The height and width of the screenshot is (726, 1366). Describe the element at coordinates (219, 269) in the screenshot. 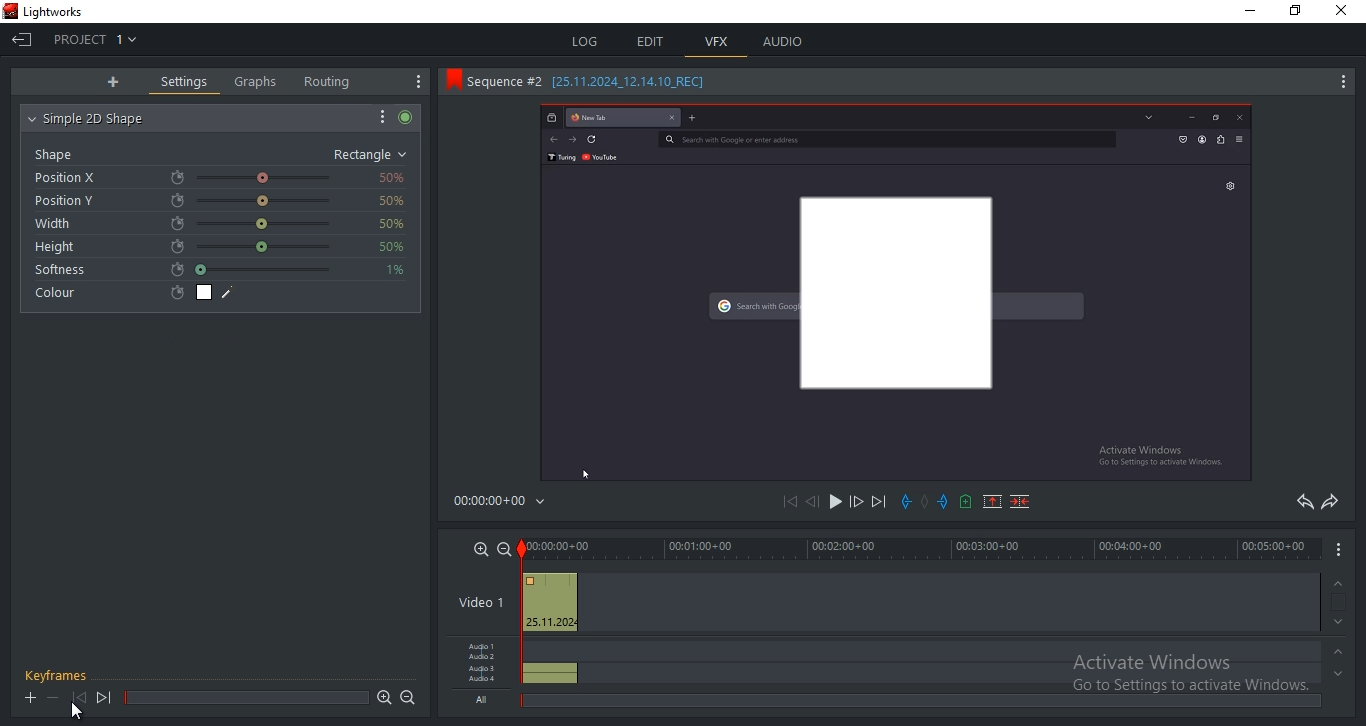

I see `softness` at that location.